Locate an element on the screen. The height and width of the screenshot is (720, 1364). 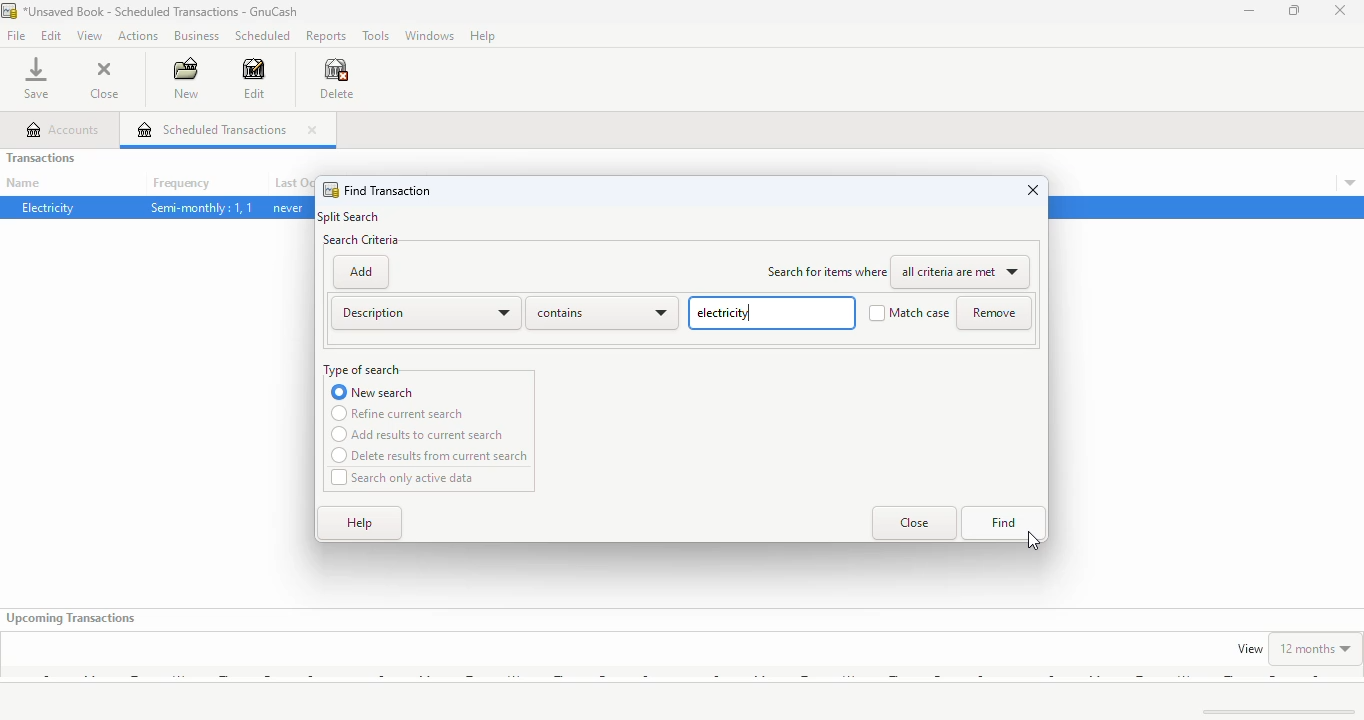
last occur is located at coordinates (292, 183).